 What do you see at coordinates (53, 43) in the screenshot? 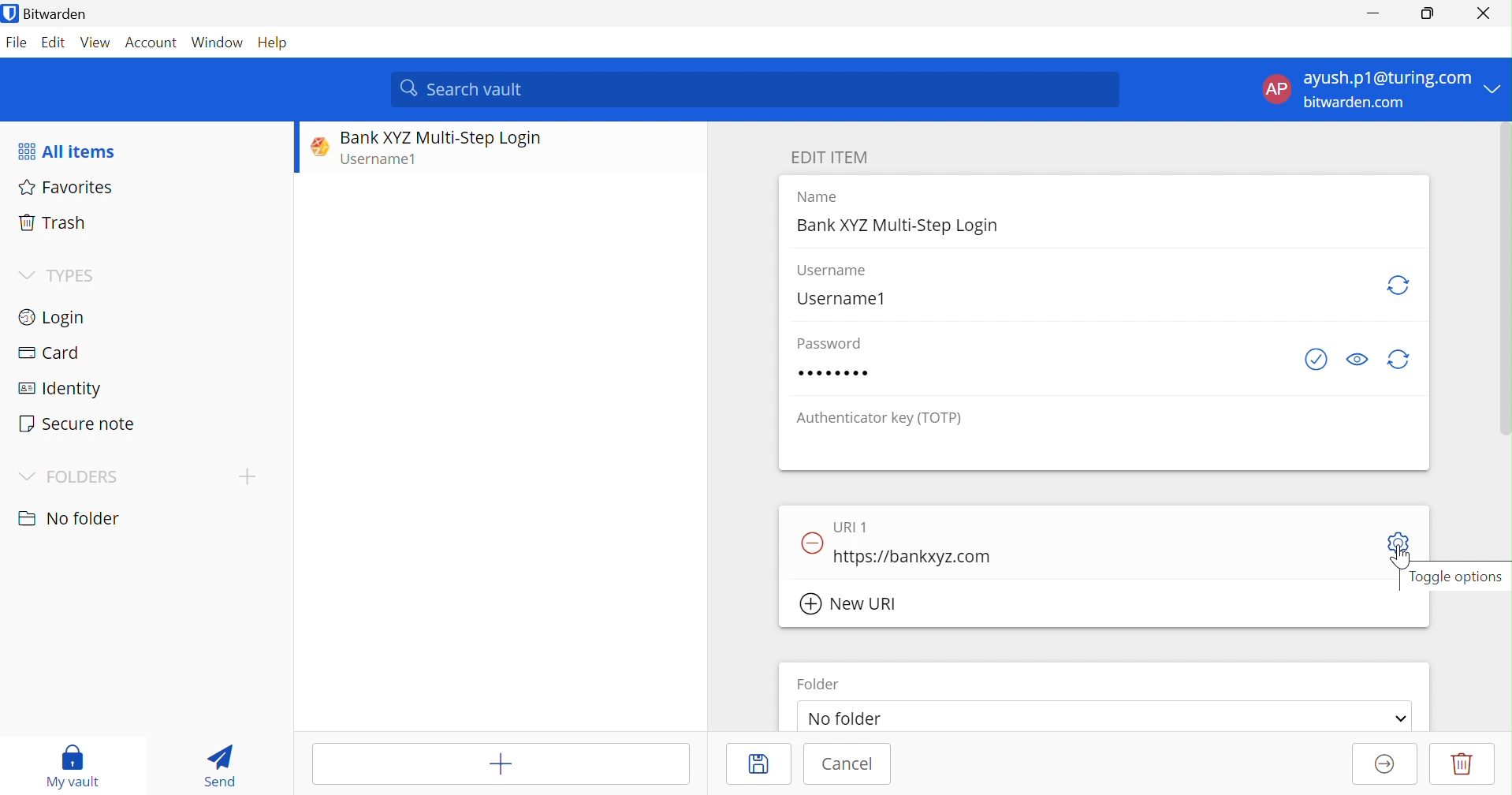
I see `Edit` at bounding box center [53, 43].